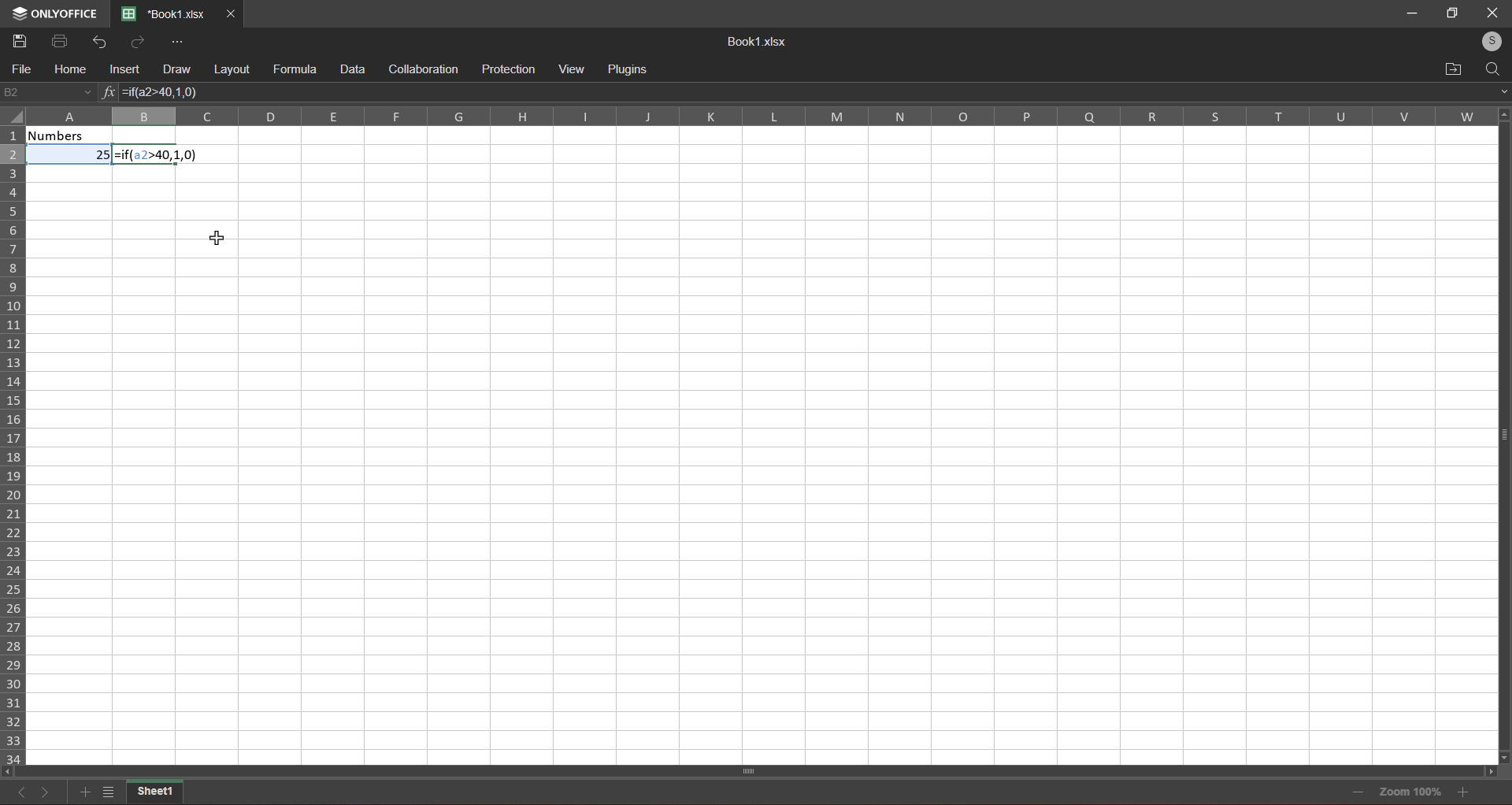  Describe the element at coordinates (632, 67) in the screenshot. I see `plugins` at that location.